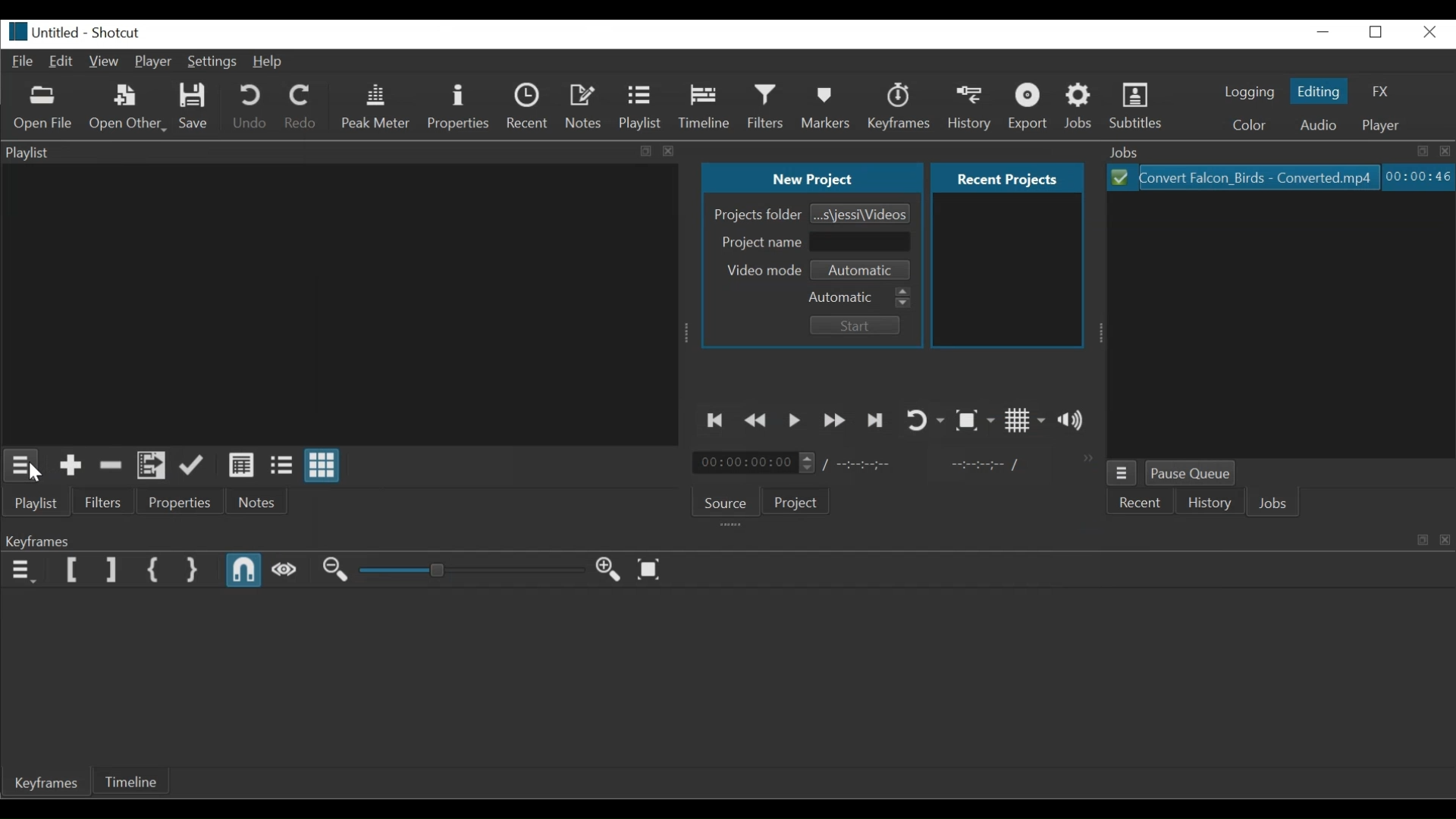 The height and width of the screenshot is (819, 1456). Describe the element at coordinates (463, 570) in the screenshot. I see `Adjust Zoom Keyframe` at that location.